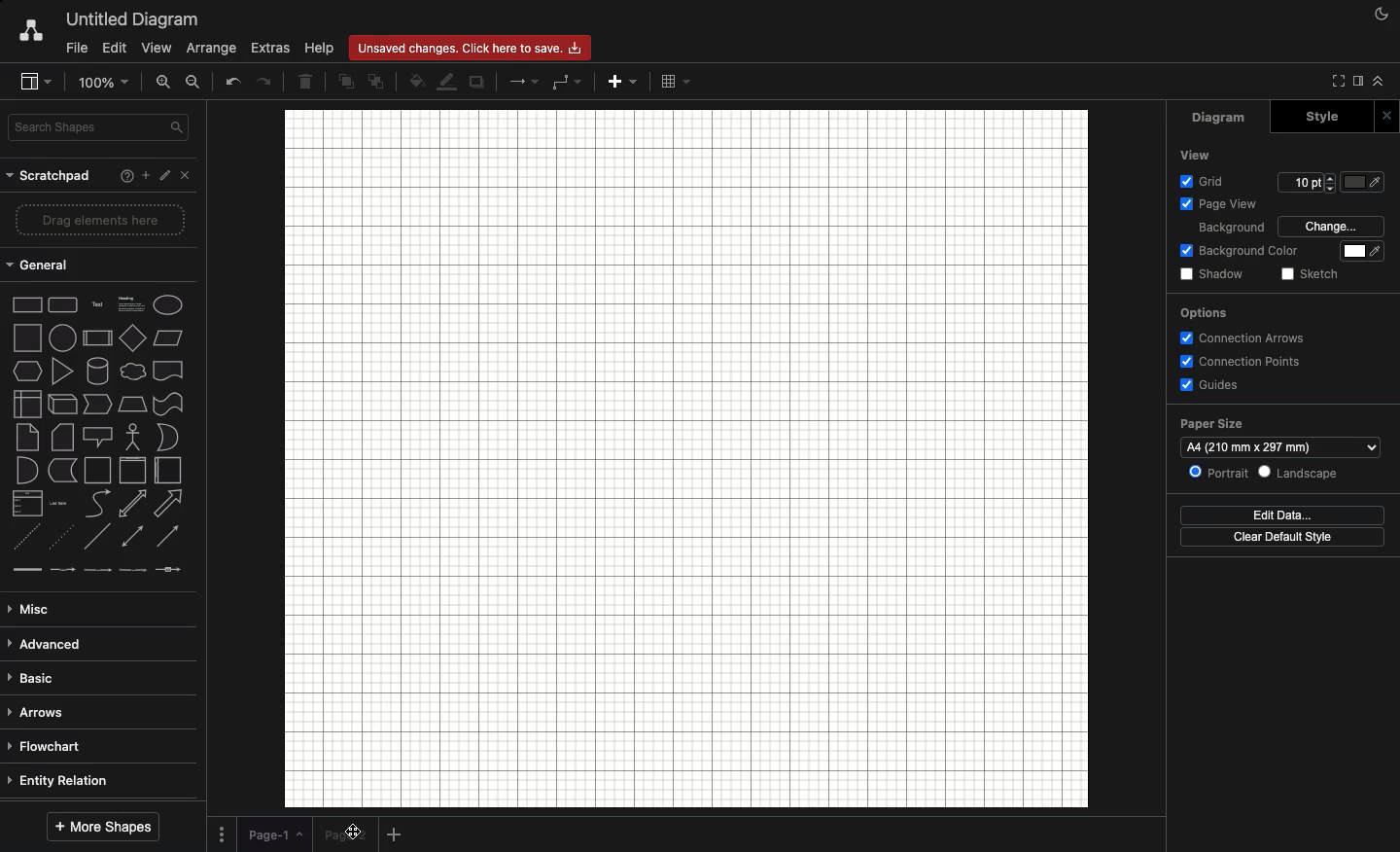 The width and height of the screenshot is (1400, 852). Describe the element at coordinates (339, 835) in the screenshot. I see `Page 2` at that location.